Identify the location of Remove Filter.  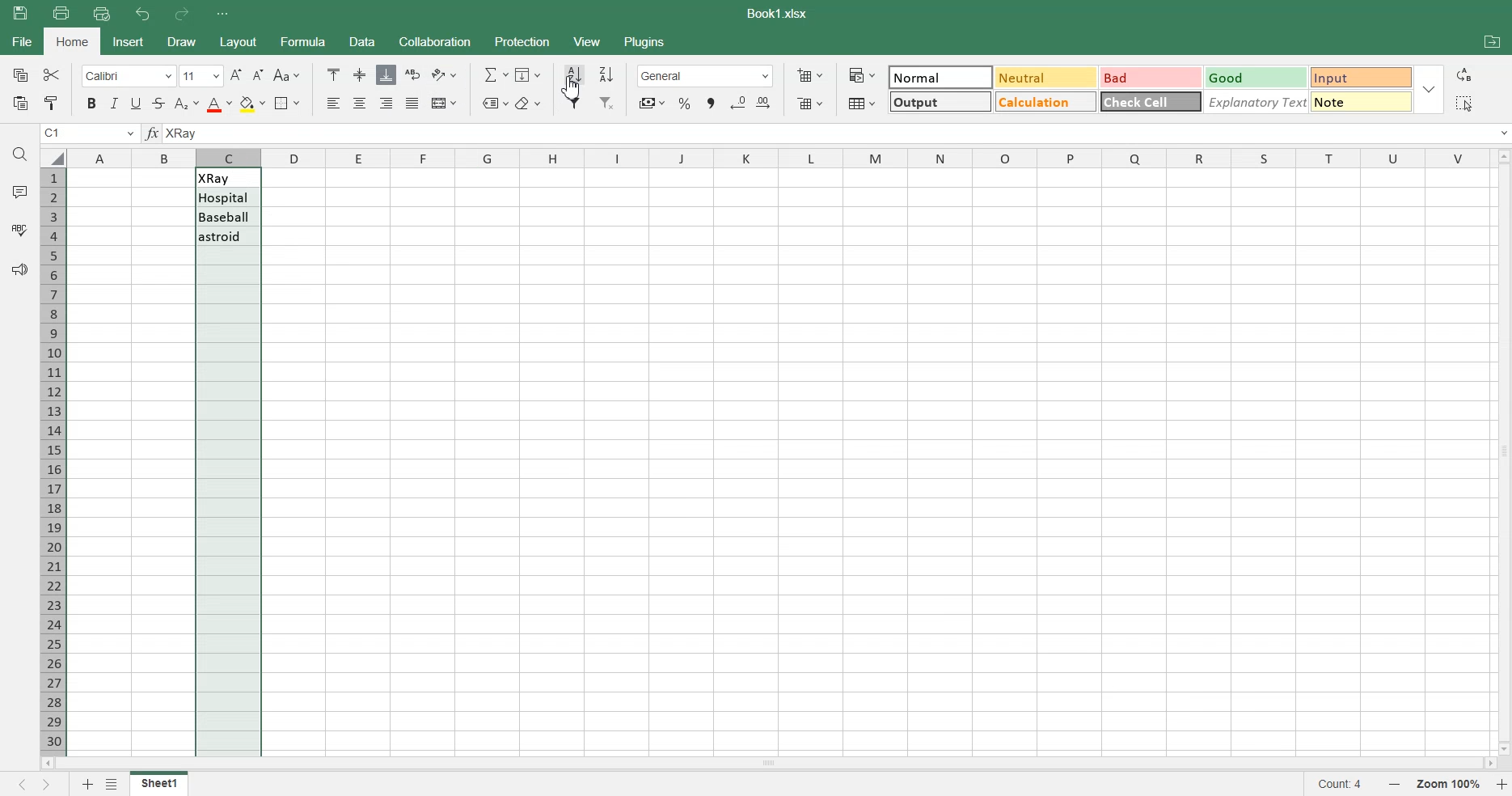
(608, 103).